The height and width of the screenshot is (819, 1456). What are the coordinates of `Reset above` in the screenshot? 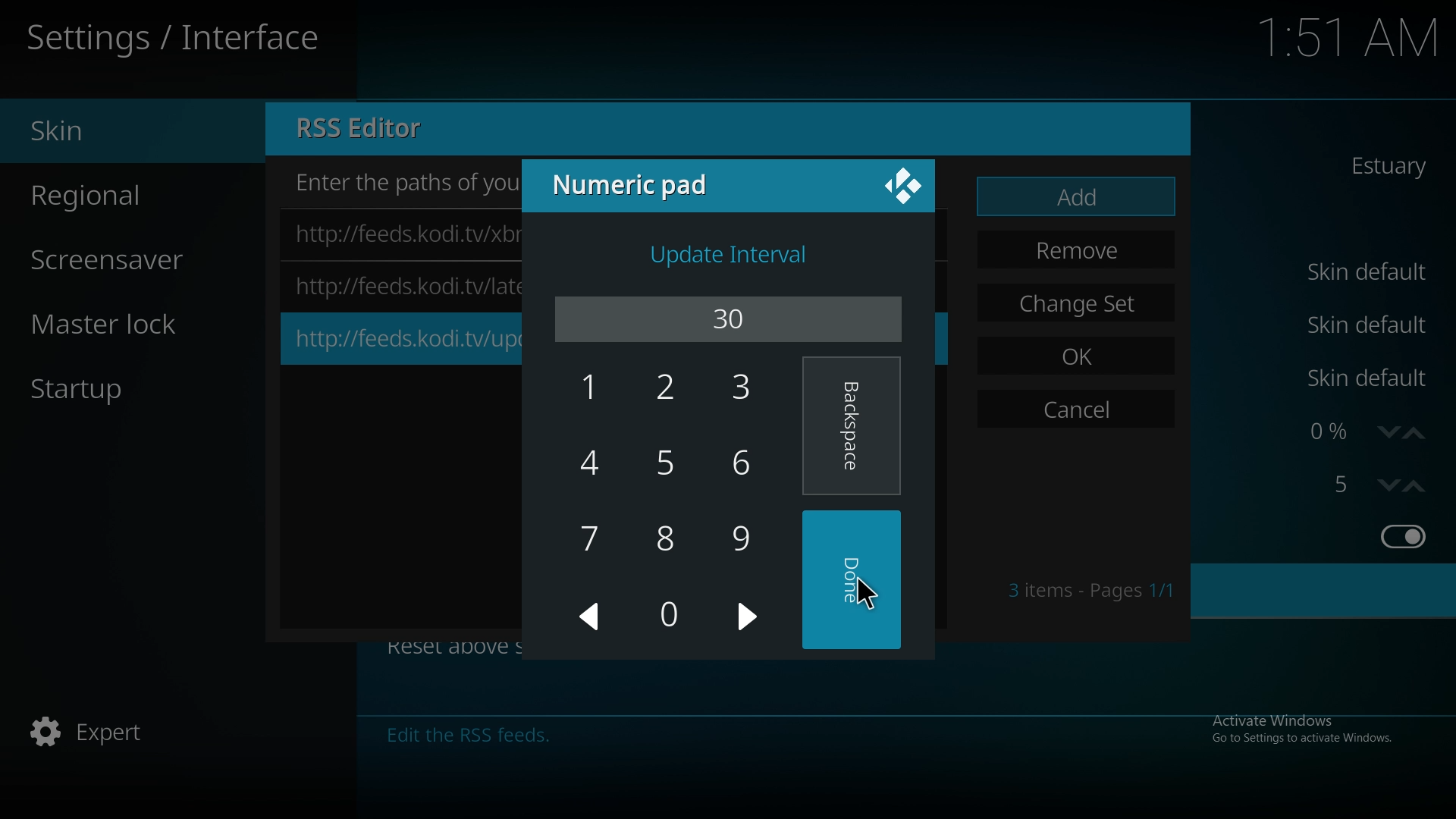 It's located at (449, 648).